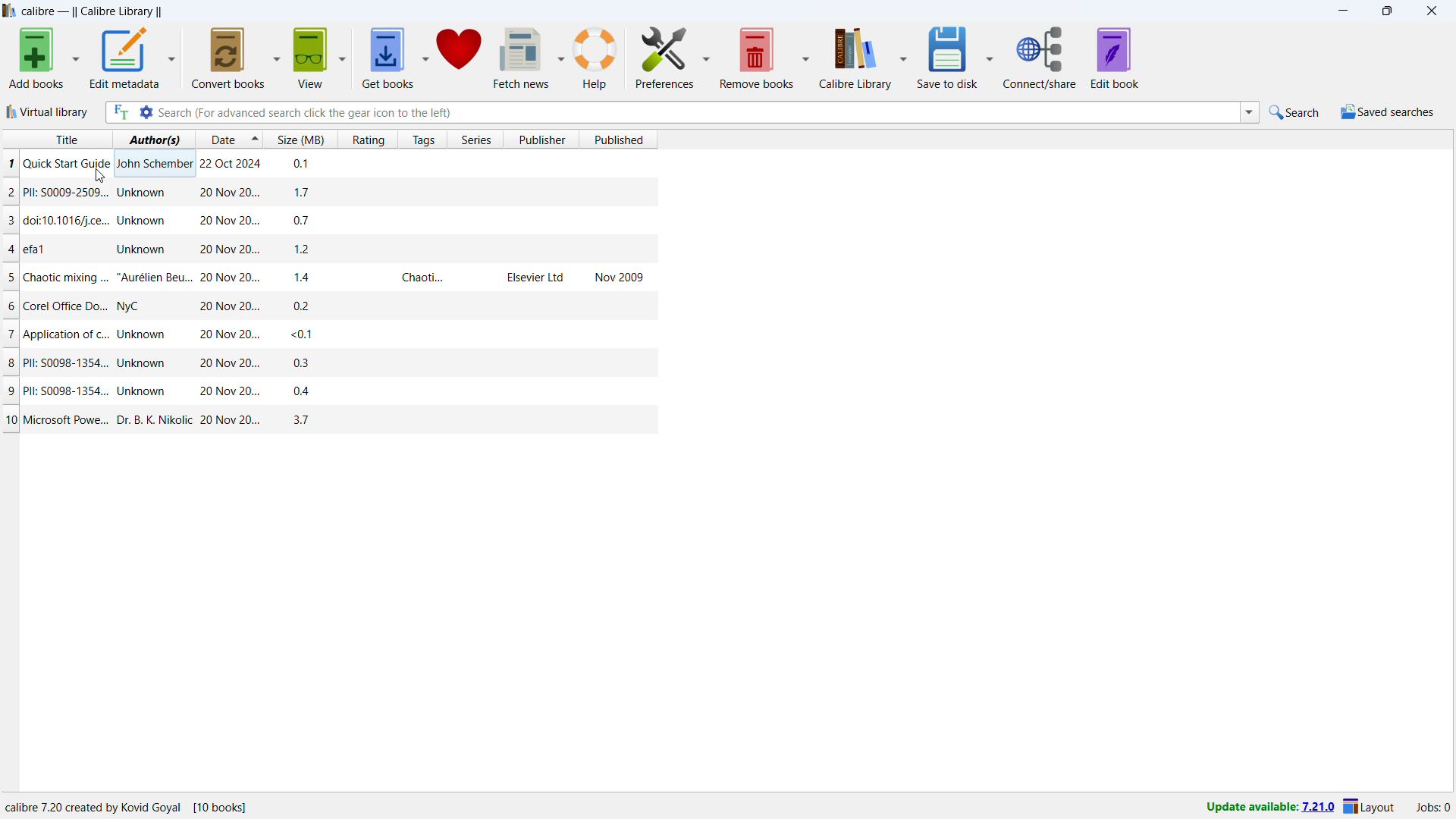 This screenshot has width=1456, height=819. I want to click on help, so click(595, 58).